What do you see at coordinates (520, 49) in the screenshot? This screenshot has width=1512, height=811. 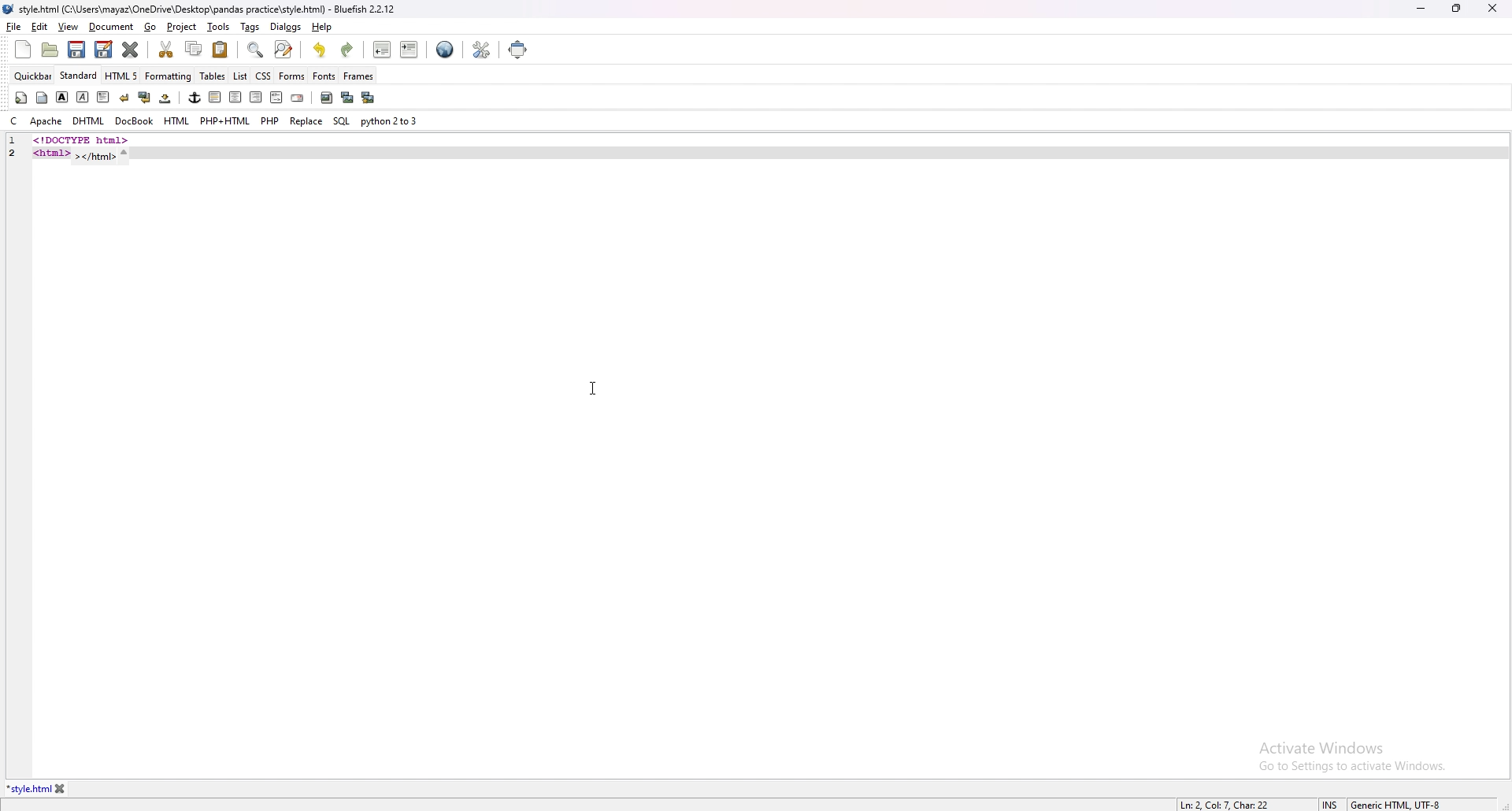 I see `full screen` at bounding box center [520, 49].